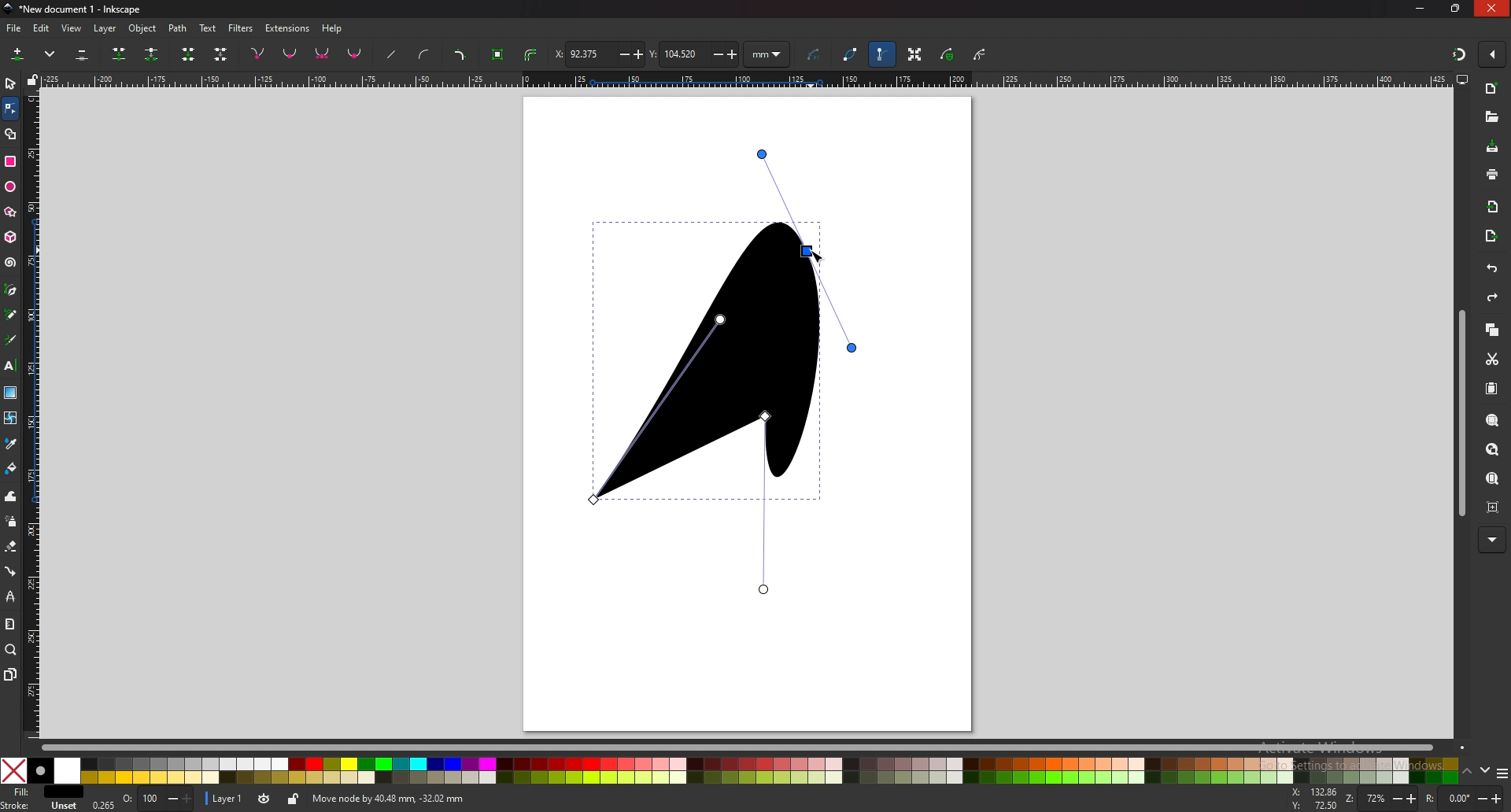 This screenshot has height=812, width=1511. Describe the element at coordinates (295, 799) in the screenshot. I see `lock` at that location.